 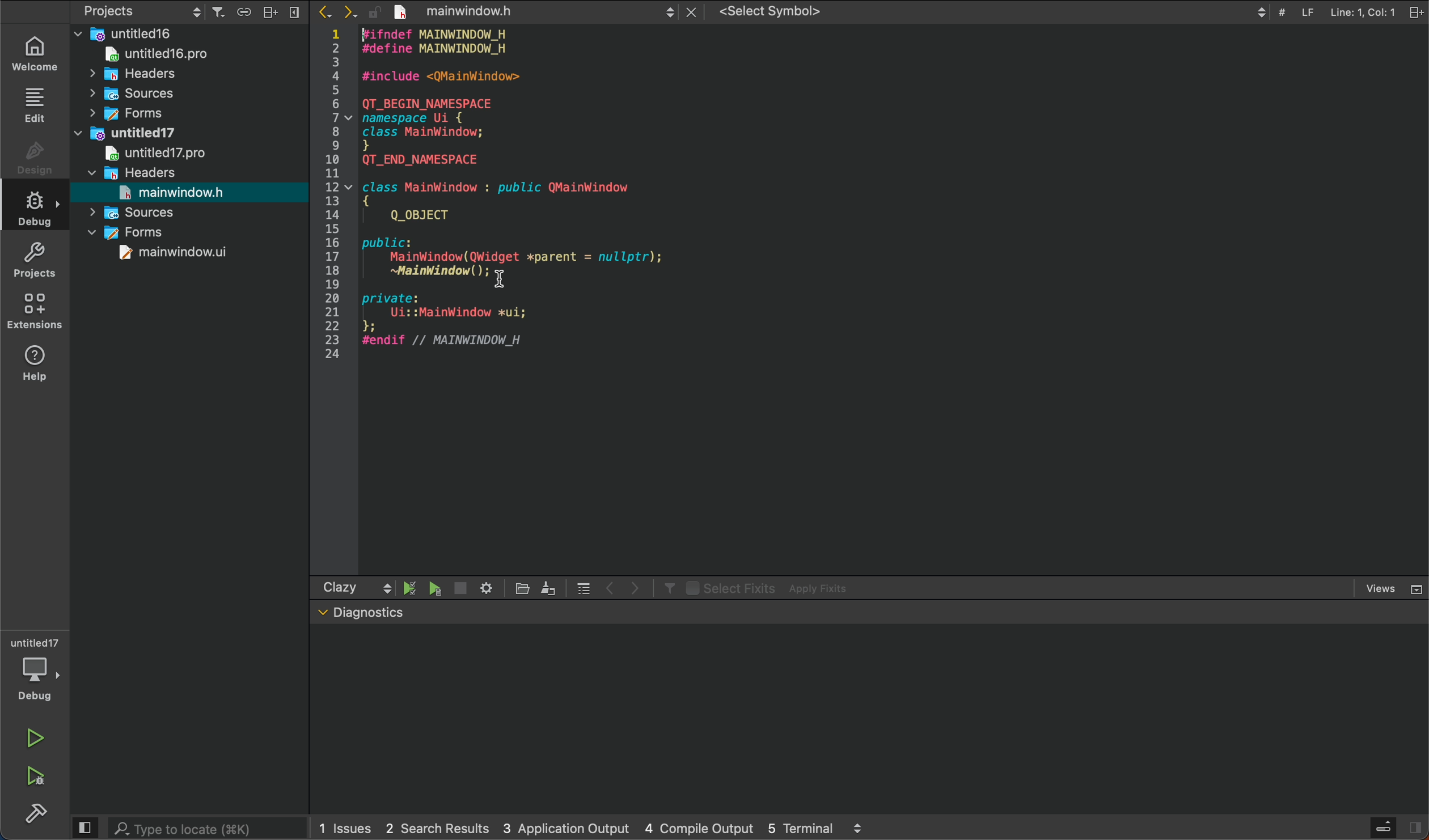 I want to click on 5 Terminal, so click(x=800, y=826).